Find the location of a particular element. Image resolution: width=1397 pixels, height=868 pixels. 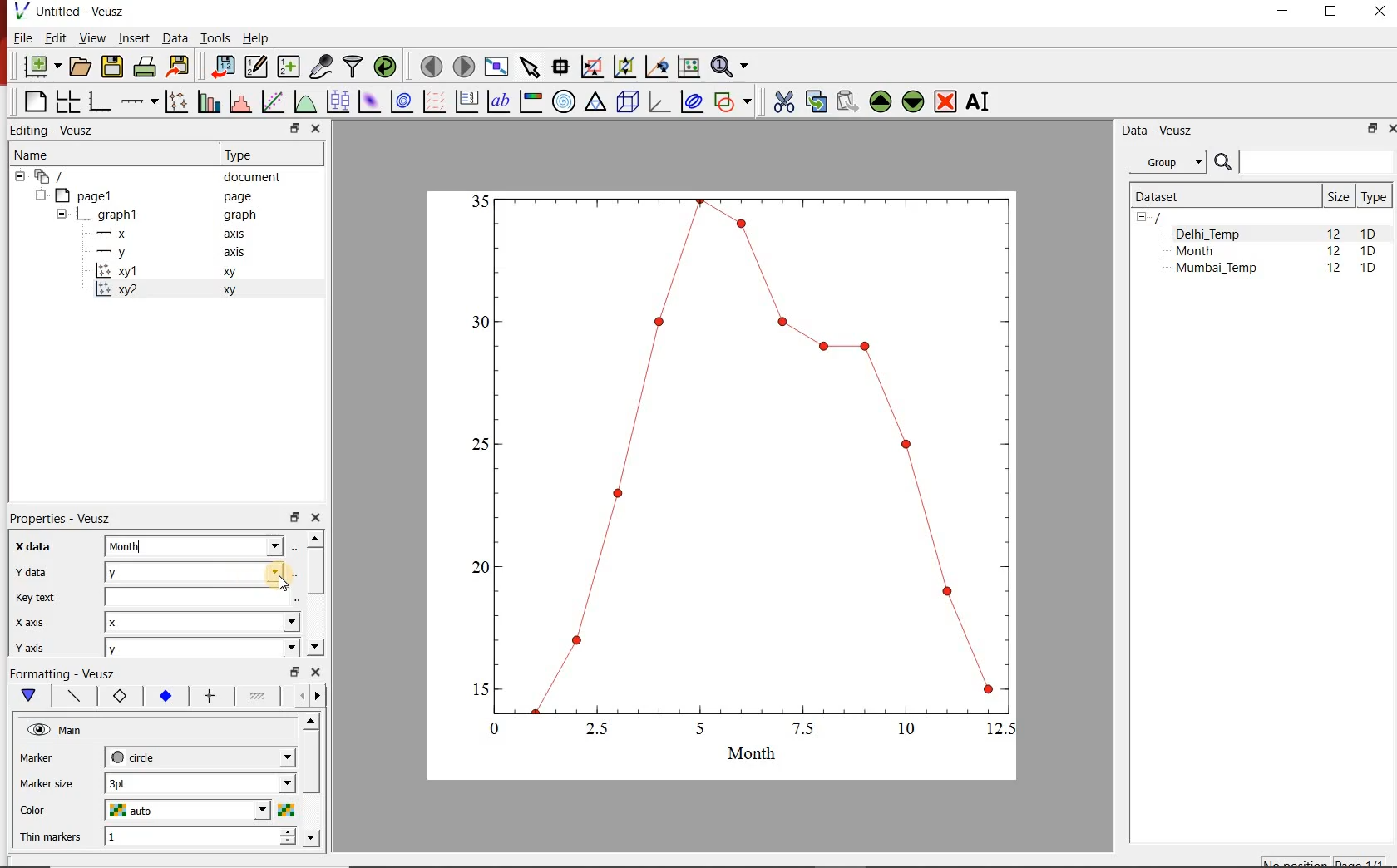

Mumbai_Temp is located at coordinates (1216, 269).